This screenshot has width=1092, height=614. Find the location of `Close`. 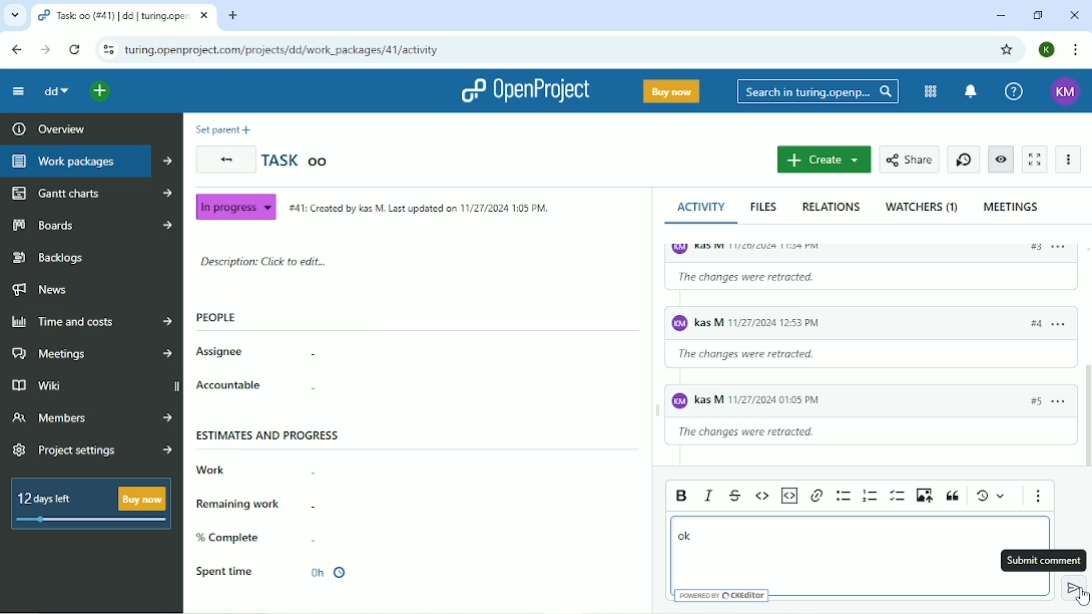

Close is located at coordinates (1074, 15).